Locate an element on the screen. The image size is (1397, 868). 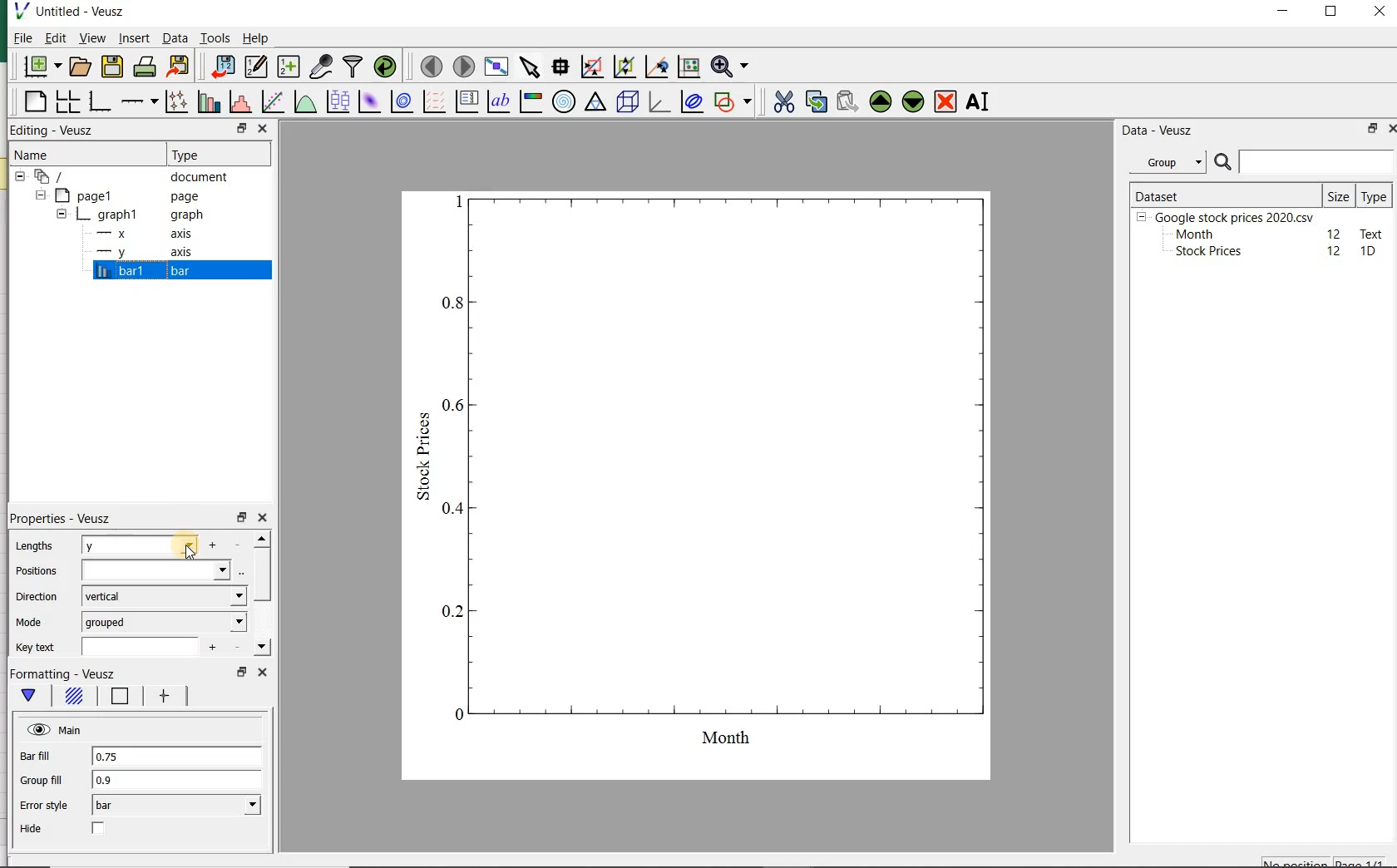
print the document is located at coordinates (145, 68).